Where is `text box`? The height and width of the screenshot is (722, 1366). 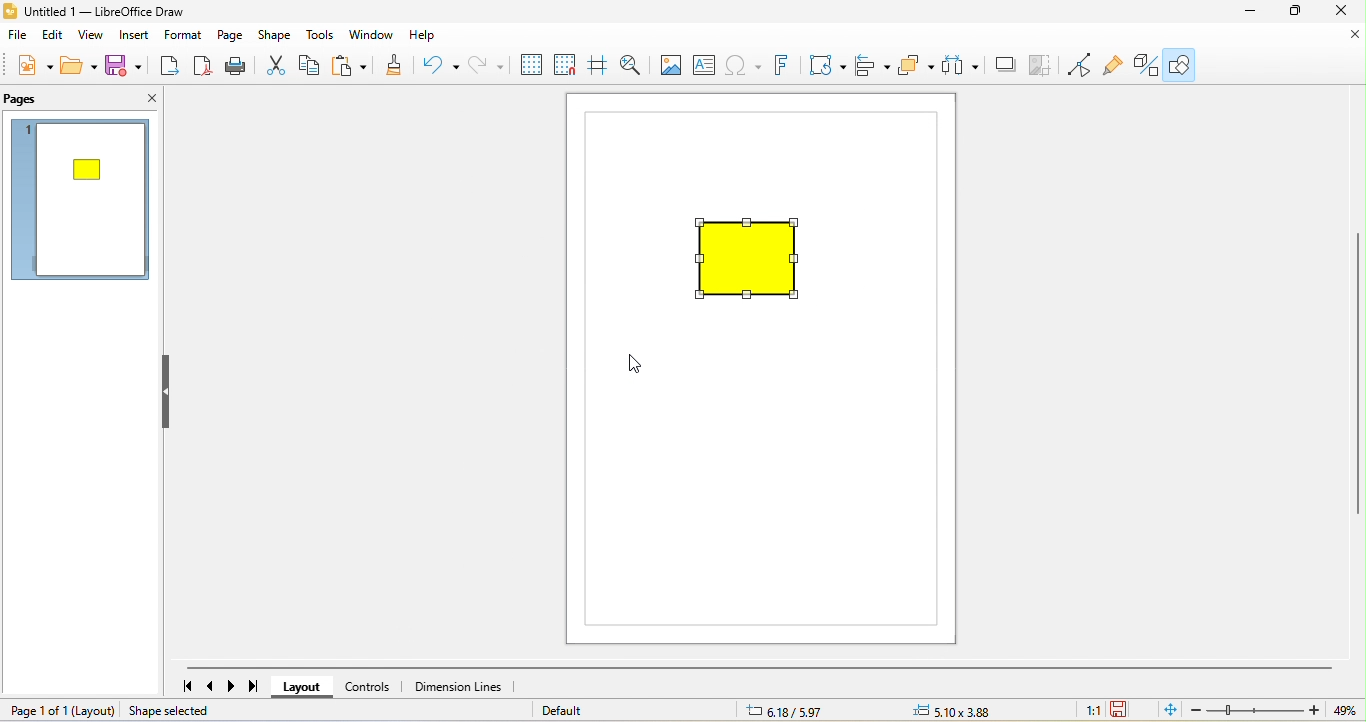 text box is located at coordinates (706, 64).